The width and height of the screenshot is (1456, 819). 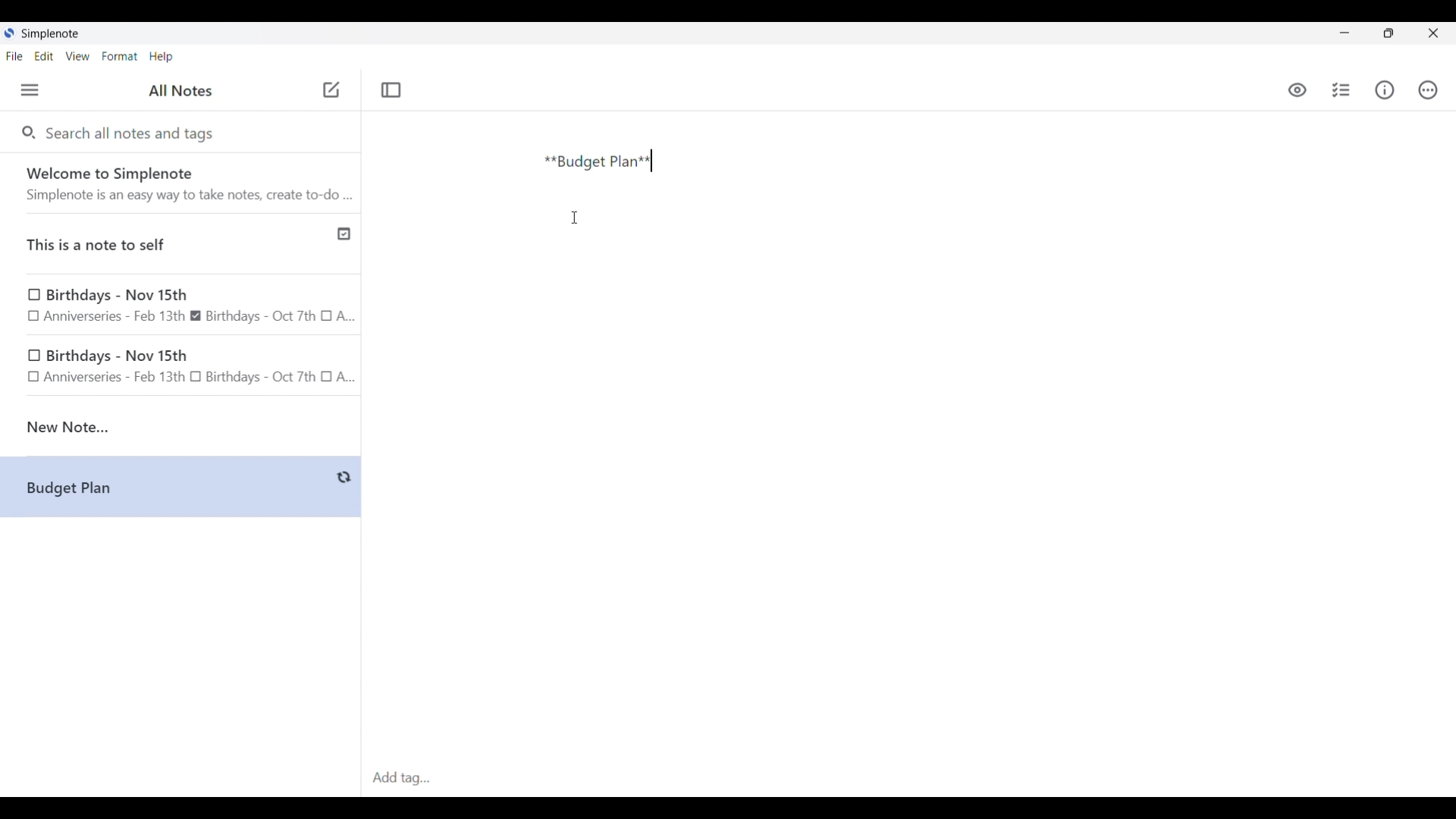 What do you see at coordinates (182, 244) in the screenshot?
I see `Published note indicated by check icon` at bounding box center [182, 244].